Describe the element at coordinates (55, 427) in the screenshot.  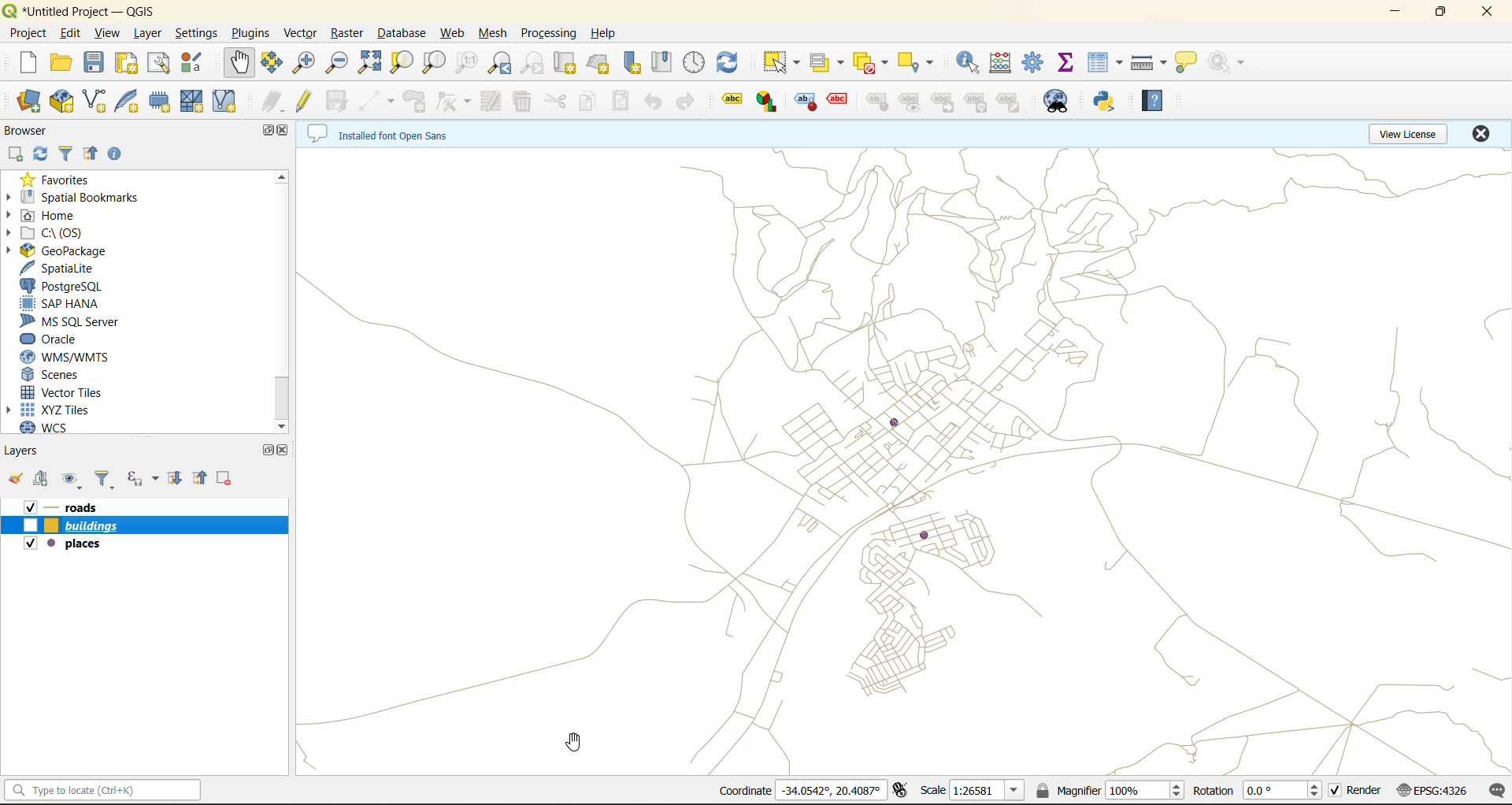
I see `wcs` at that location.